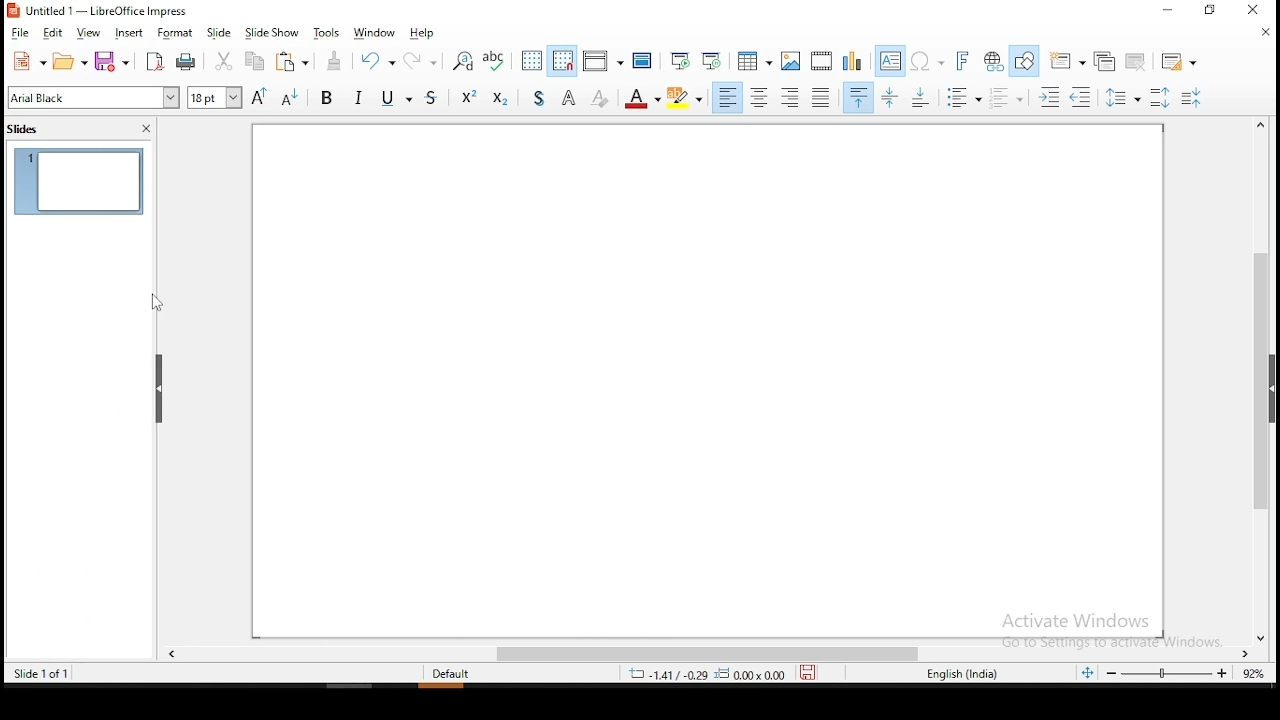  What do you see at coordinates (1087, 672) in the screenshot?
I see `fit slide to current window` at bounding box center [1087, 672].